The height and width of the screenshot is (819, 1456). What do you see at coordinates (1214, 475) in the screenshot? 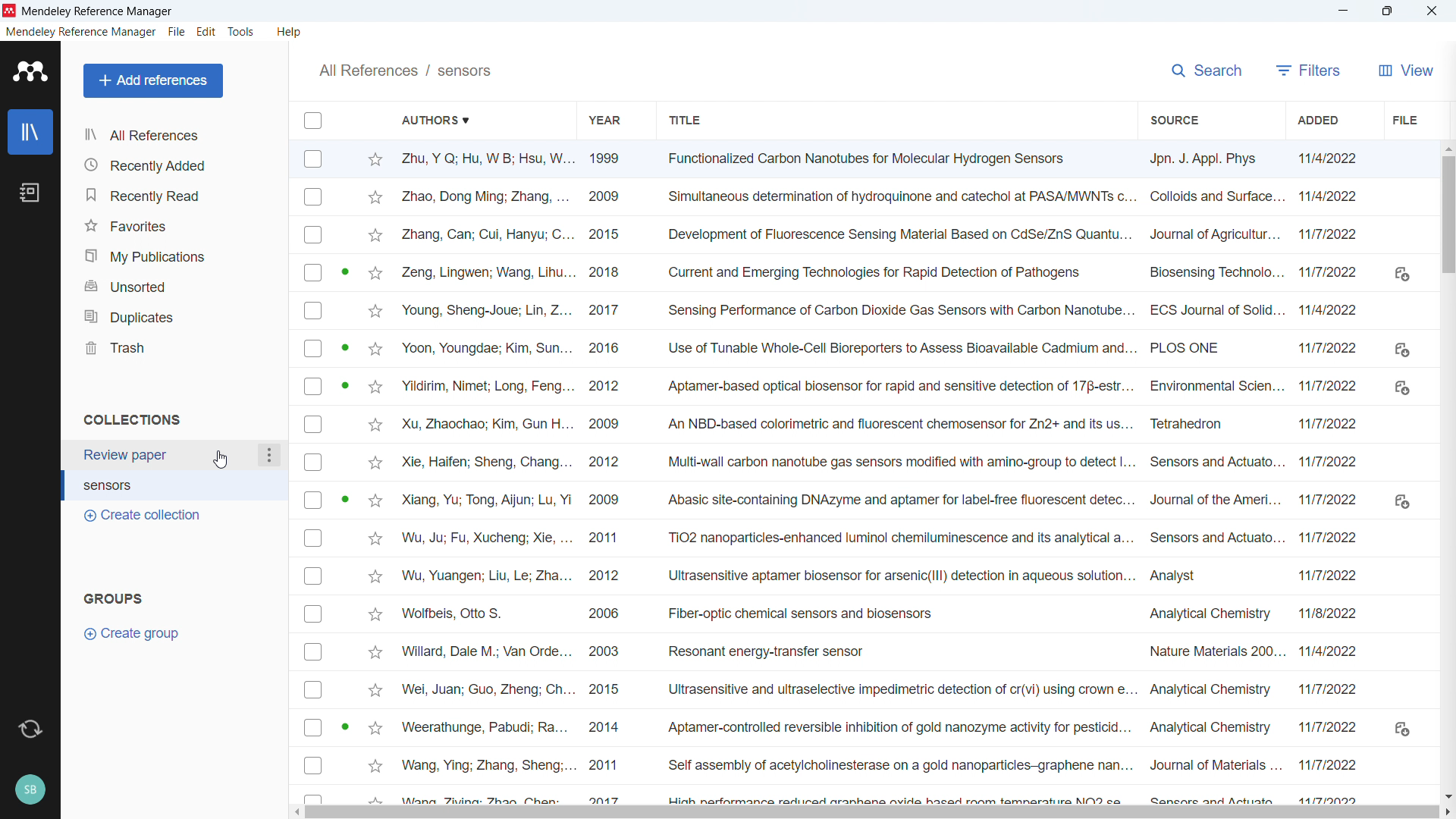
I see `Source of individual entries ` at bounding box center [1214, 475].